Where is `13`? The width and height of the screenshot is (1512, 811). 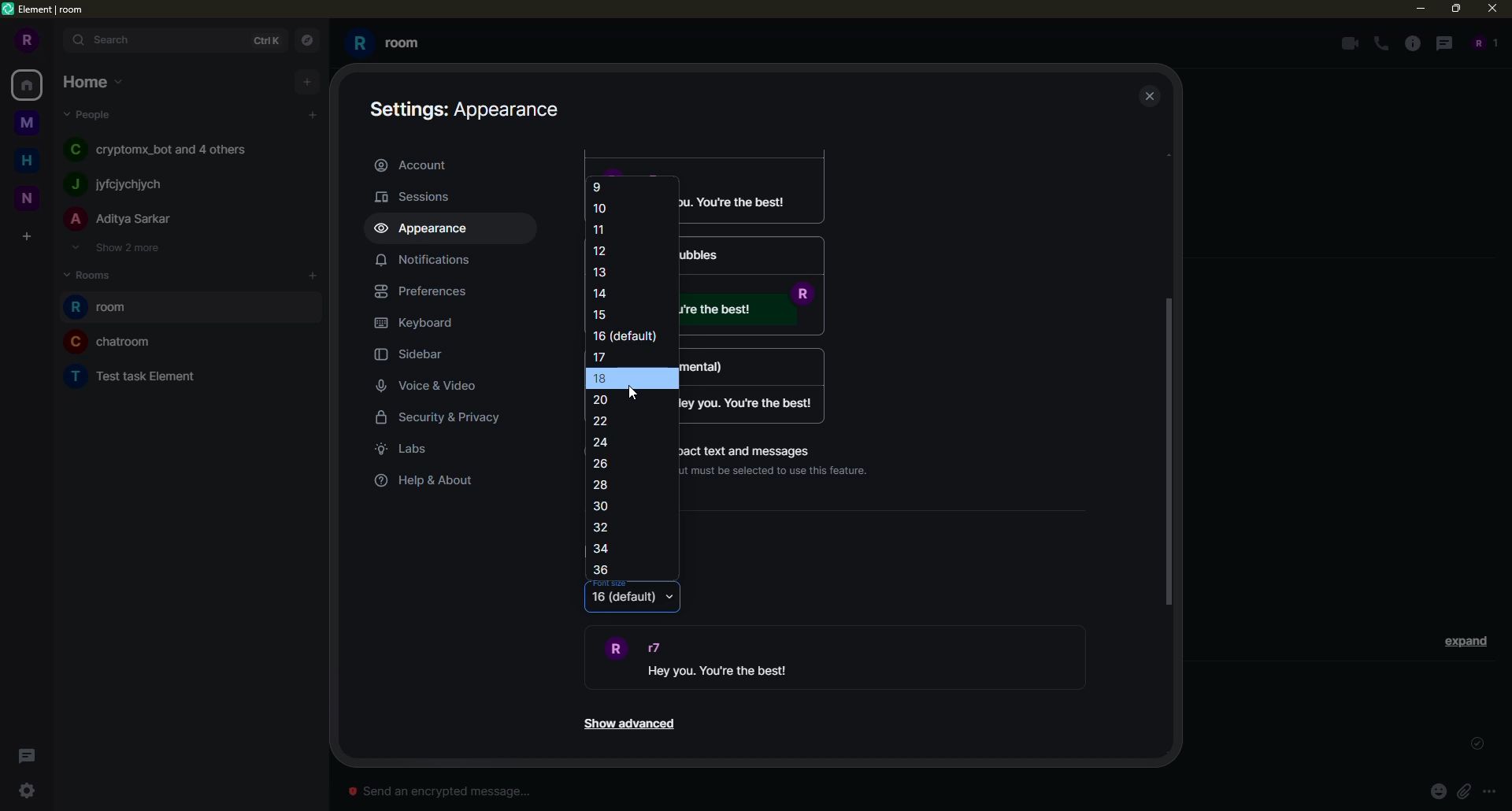
13 is located at coordinates (602, 271).